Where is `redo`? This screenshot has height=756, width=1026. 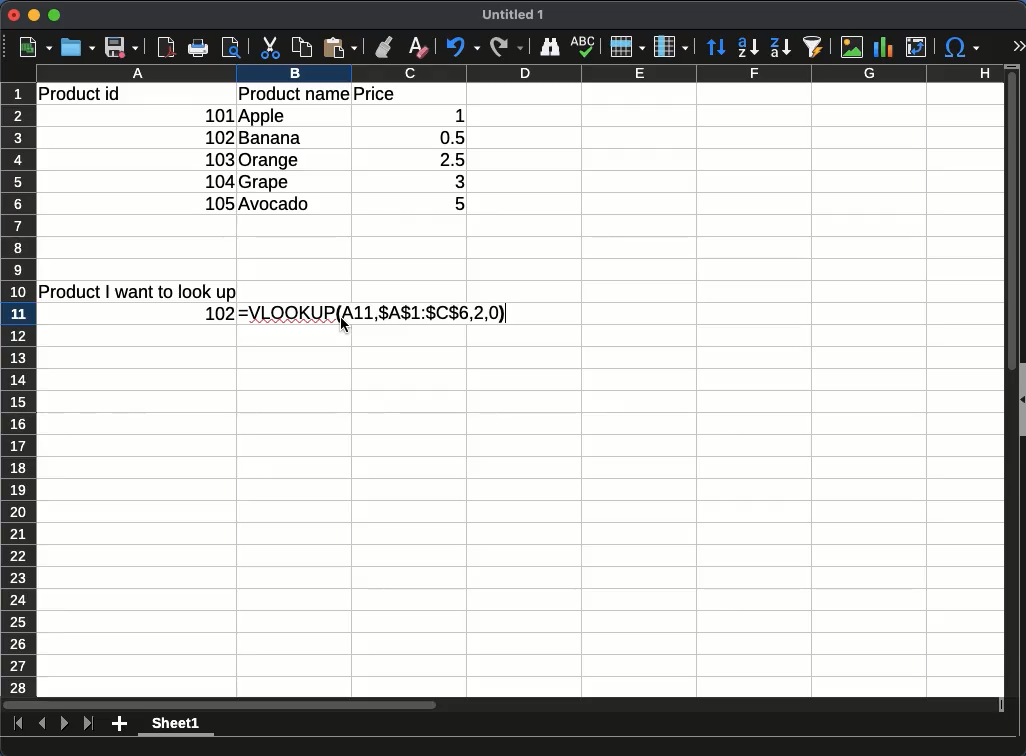 redo is located at coordinates (507, 47).